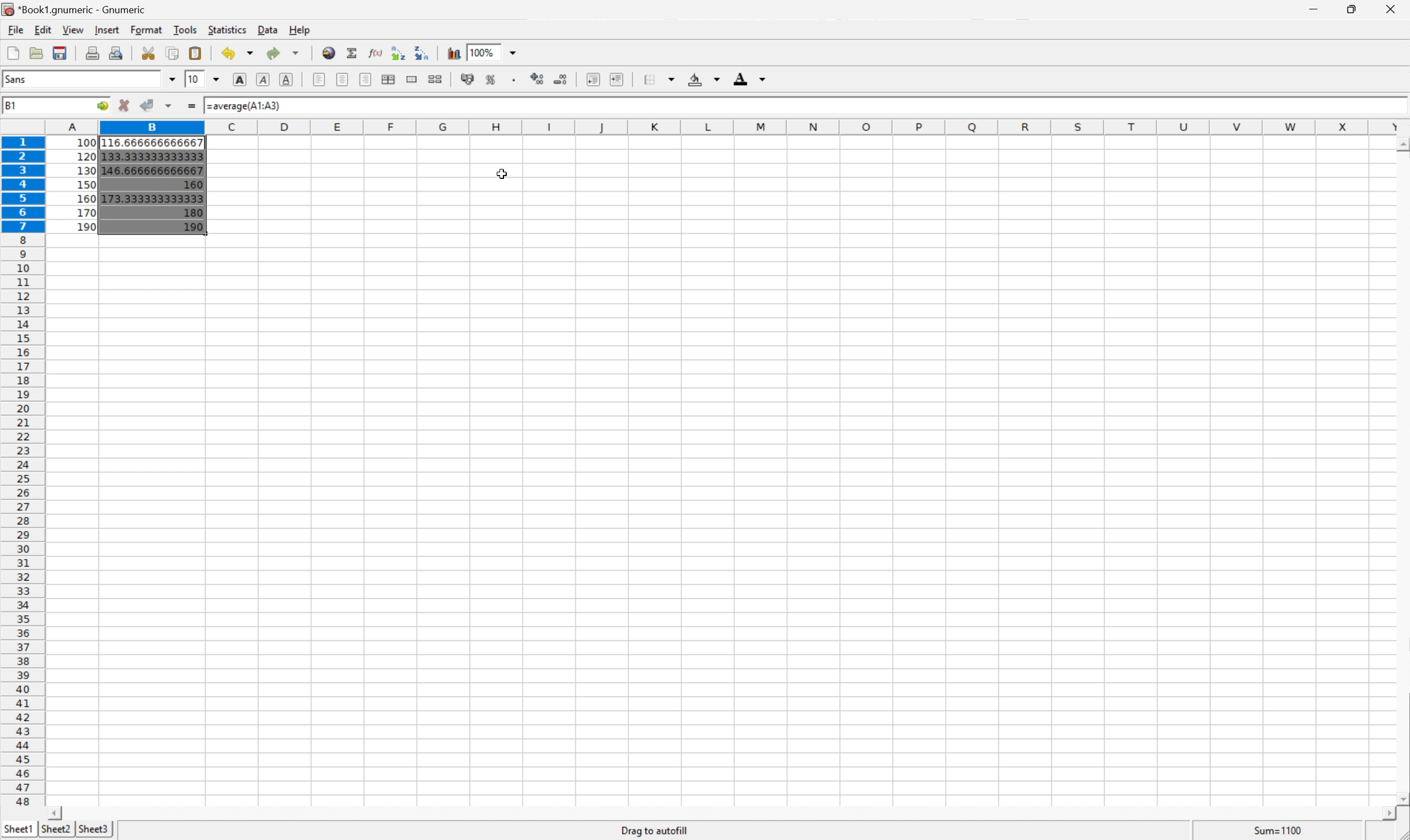 The width and height of the screenshot is (1410, 840). Describe the element at coordinates (342, 79) in the screenshot. I see `Center horizontally` at that location.